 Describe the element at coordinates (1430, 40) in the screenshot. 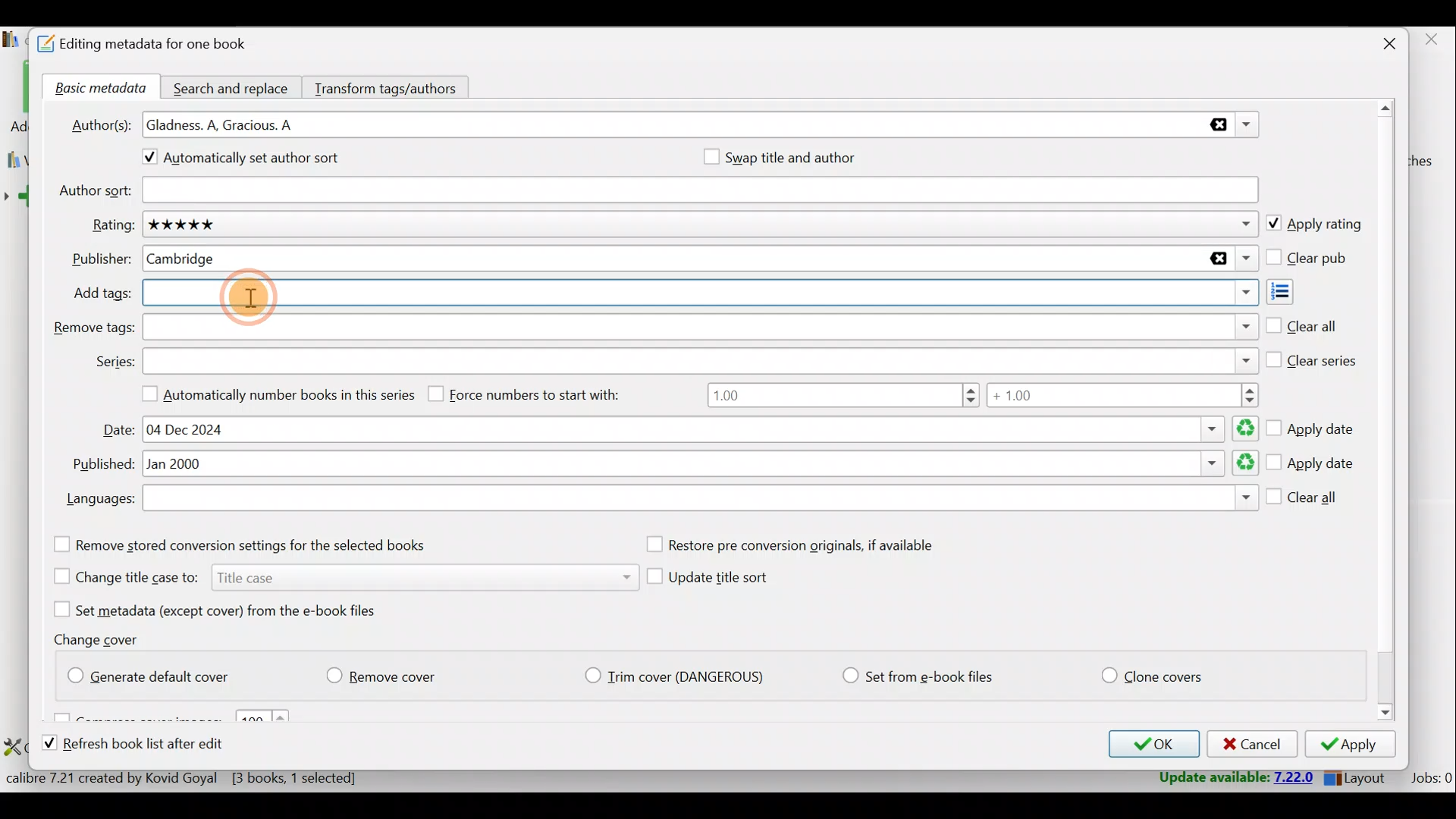

I see `close` at that location.